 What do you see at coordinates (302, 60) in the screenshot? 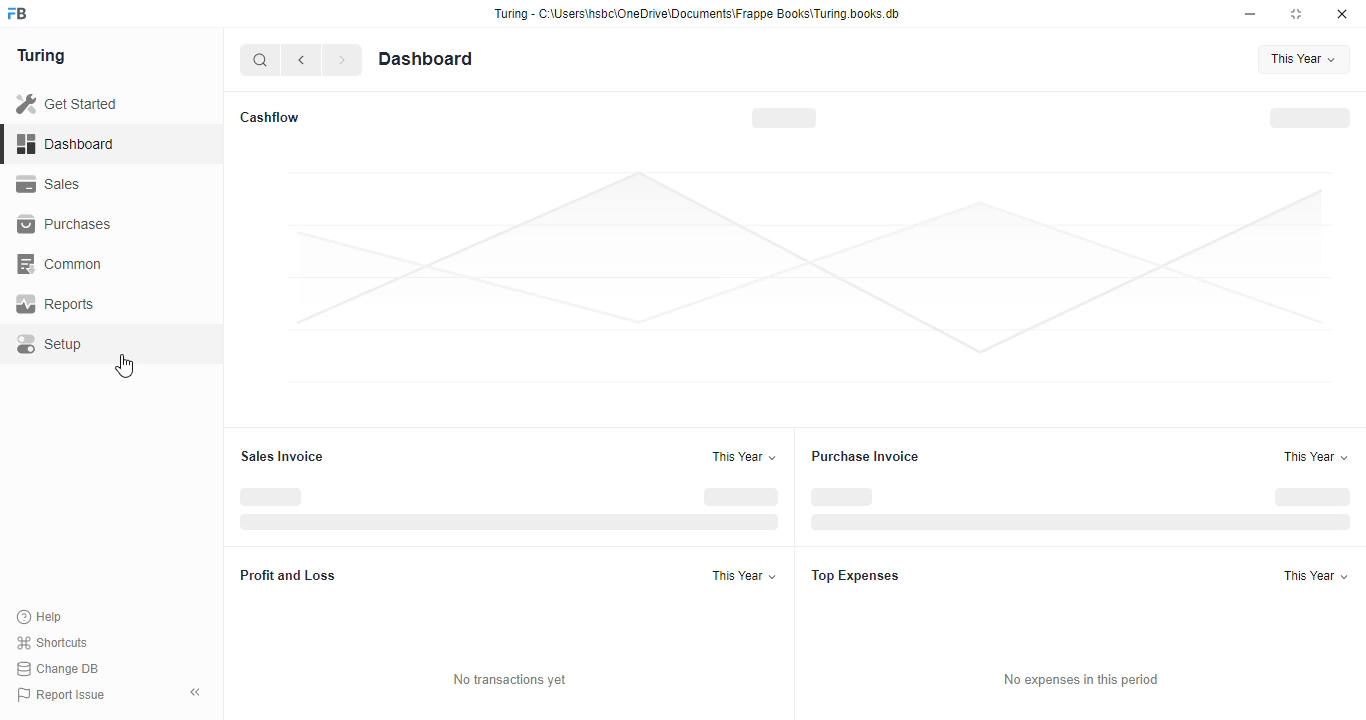
I see `previous` at bounding box center [302, 60].